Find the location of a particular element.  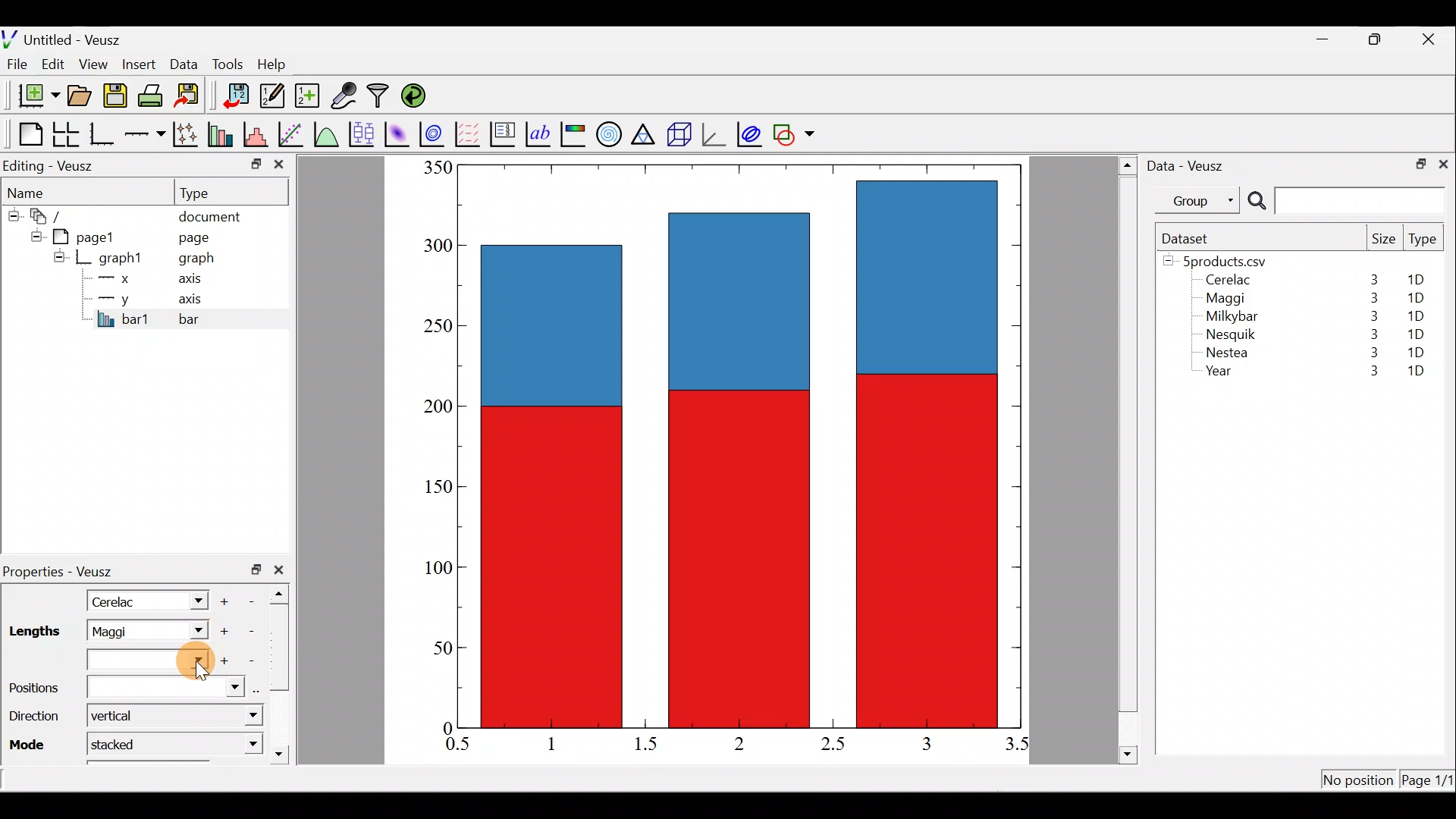

1D is located at coordinates (1421, 280).